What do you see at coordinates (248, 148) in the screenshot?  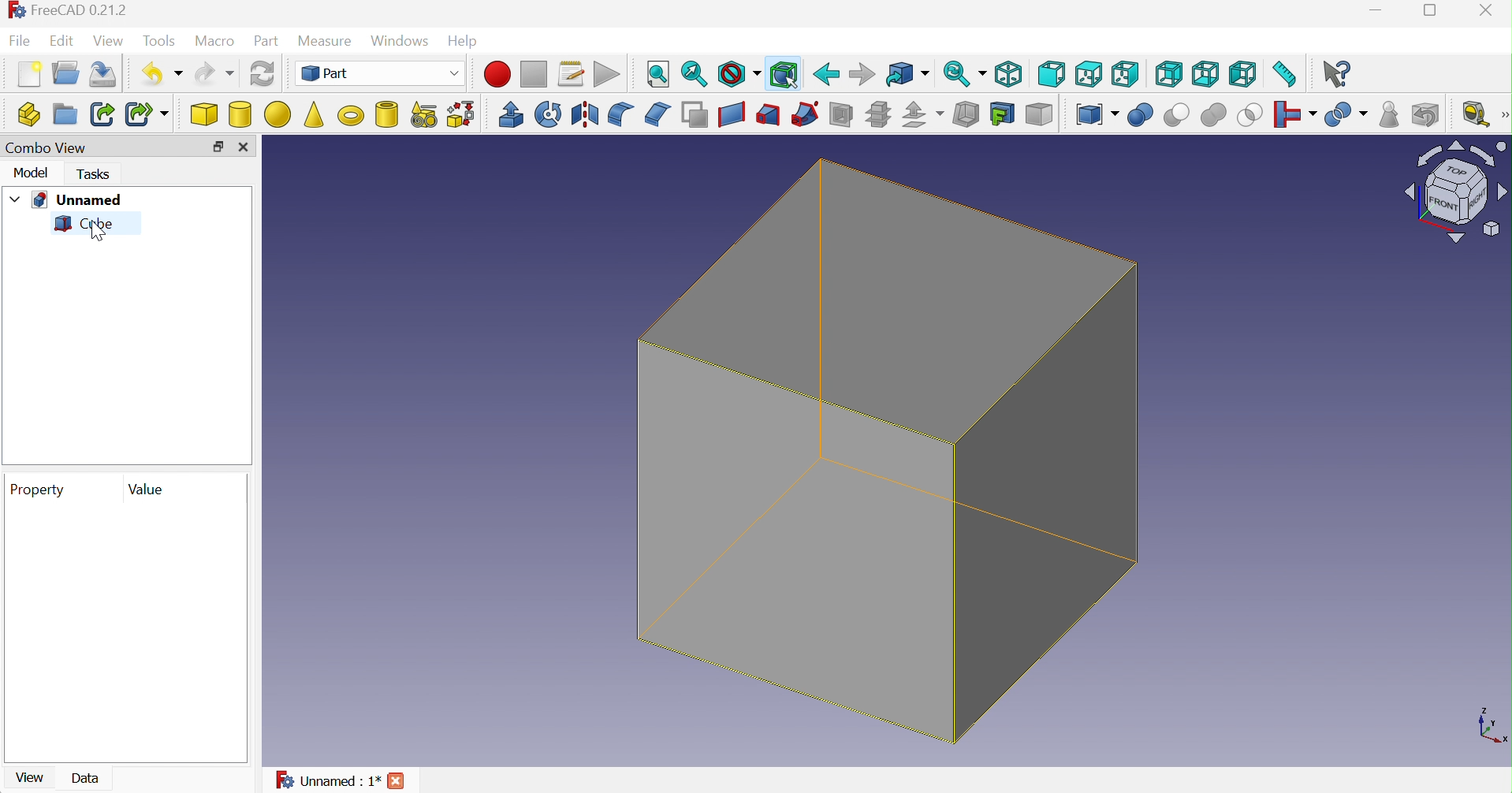 I see `Close` at bounding box center [248, 148].